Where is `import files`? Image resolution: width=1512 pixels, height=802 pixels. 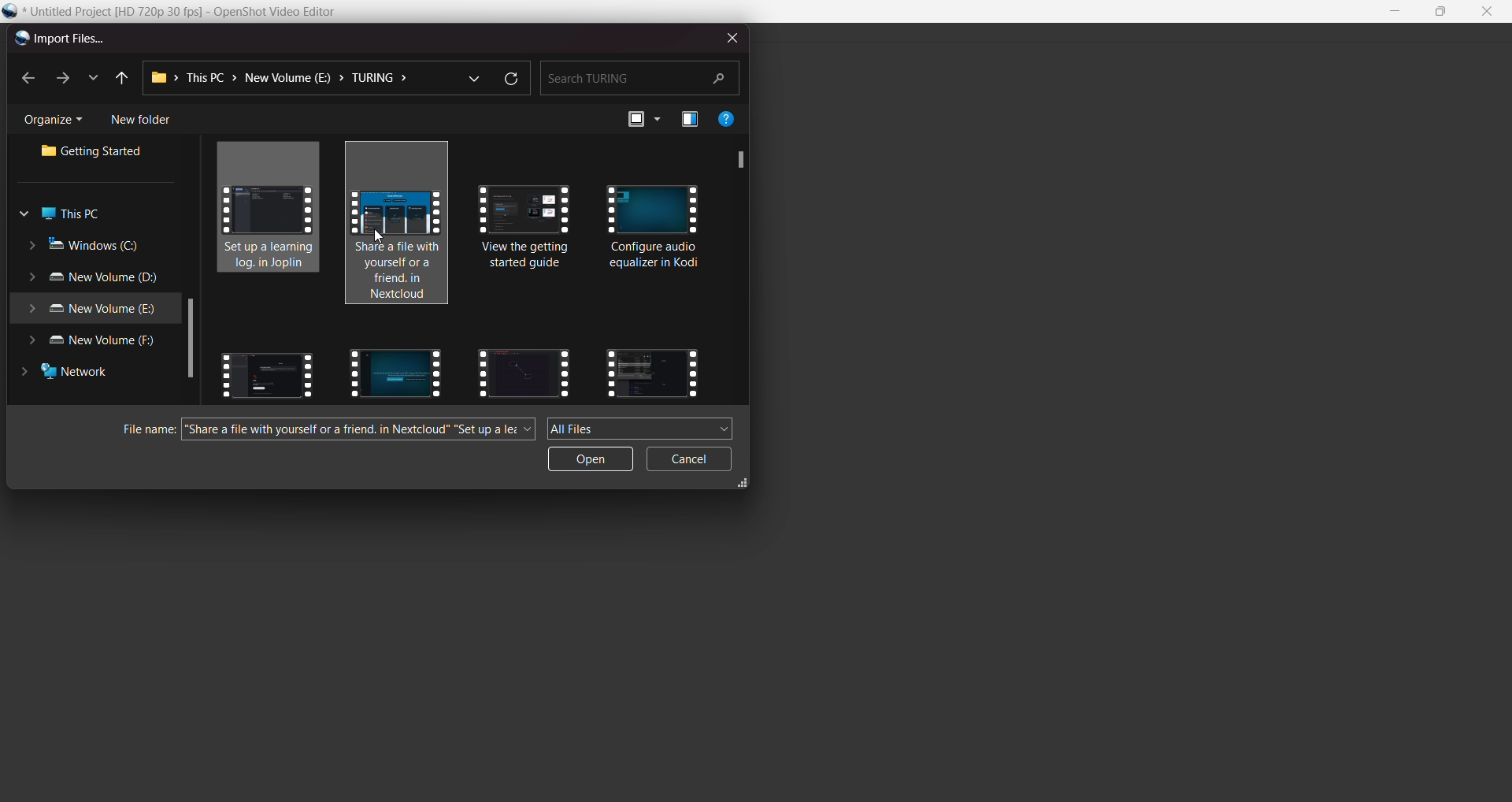 import files is located at coordinates (58, 39).